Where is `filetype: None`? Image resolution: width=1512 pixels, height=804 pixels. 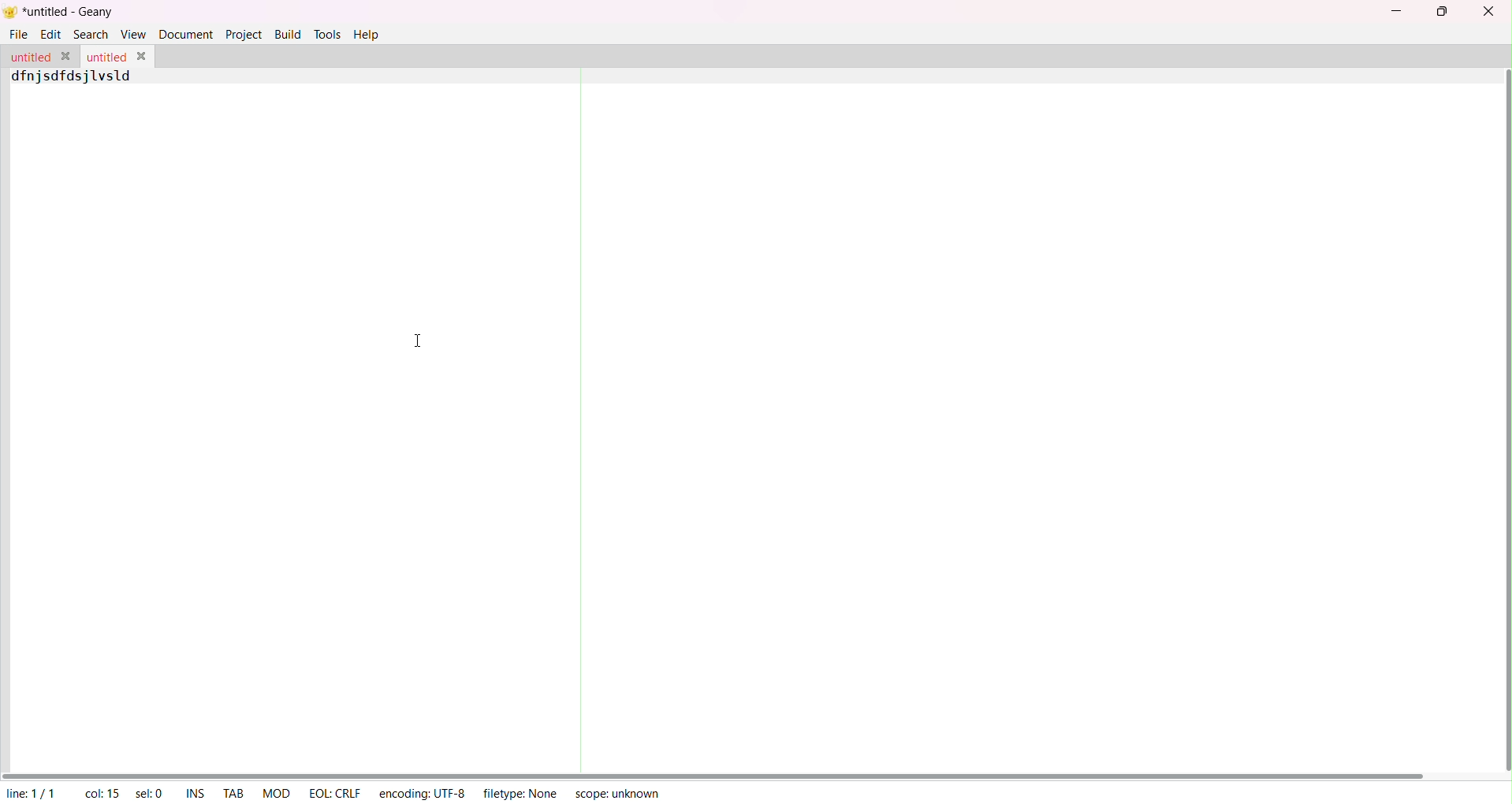
filetype: None is located at coordinates (522, 794).